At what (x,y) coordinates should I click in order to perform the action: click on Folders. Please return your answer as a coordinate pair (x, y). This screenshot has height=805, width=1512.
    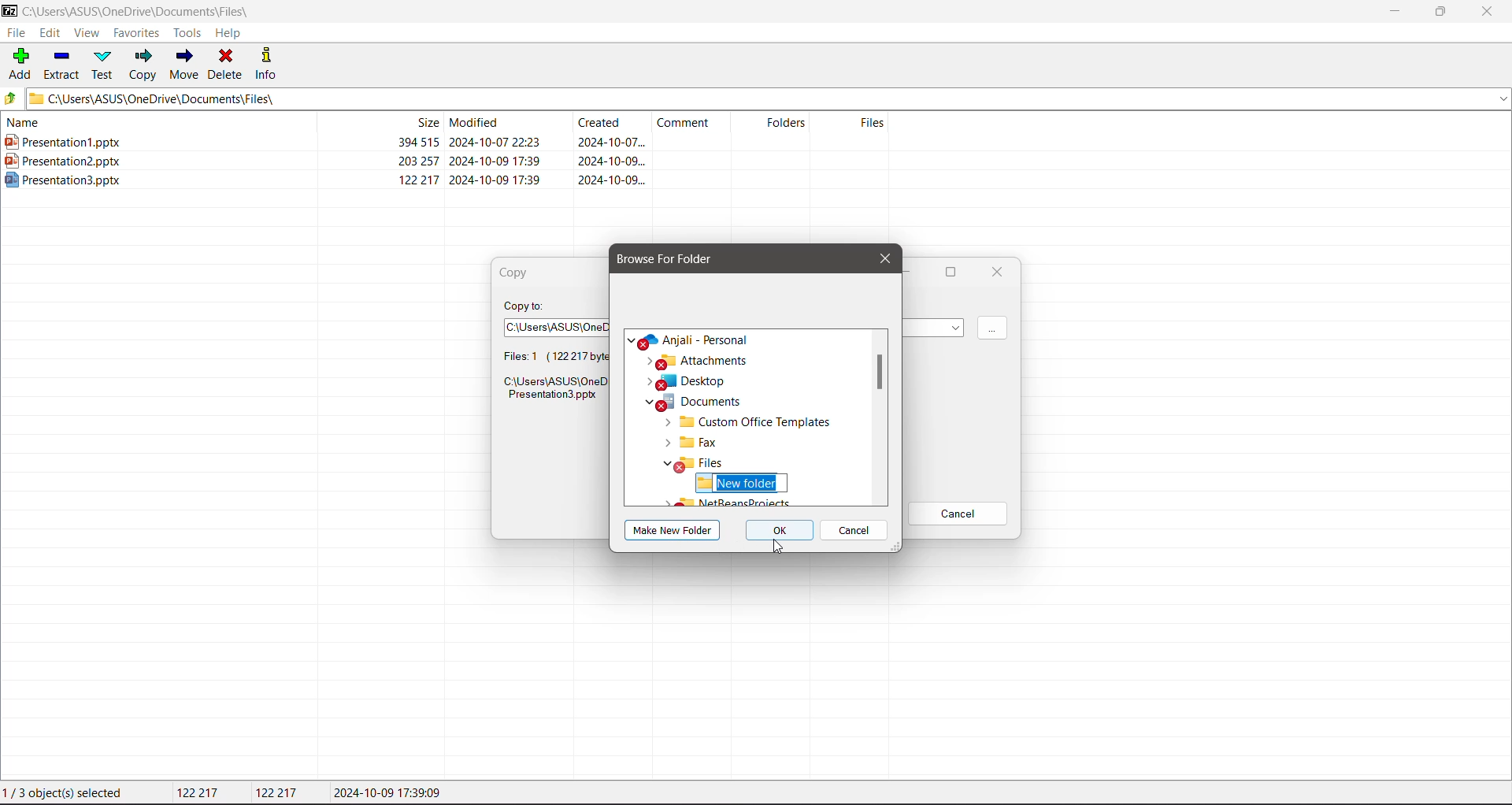
    Looking at the image, I should click on (777, 122).